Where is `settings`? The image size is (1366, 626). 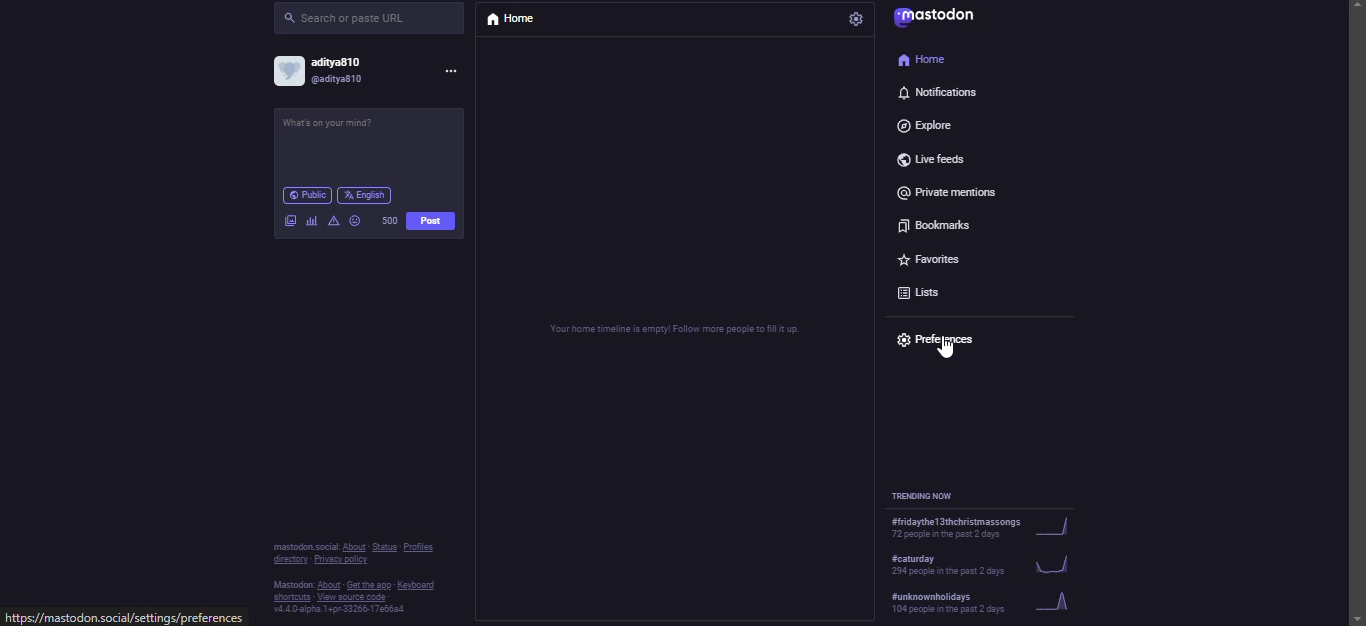 settings is located at coordinates (857, 19).